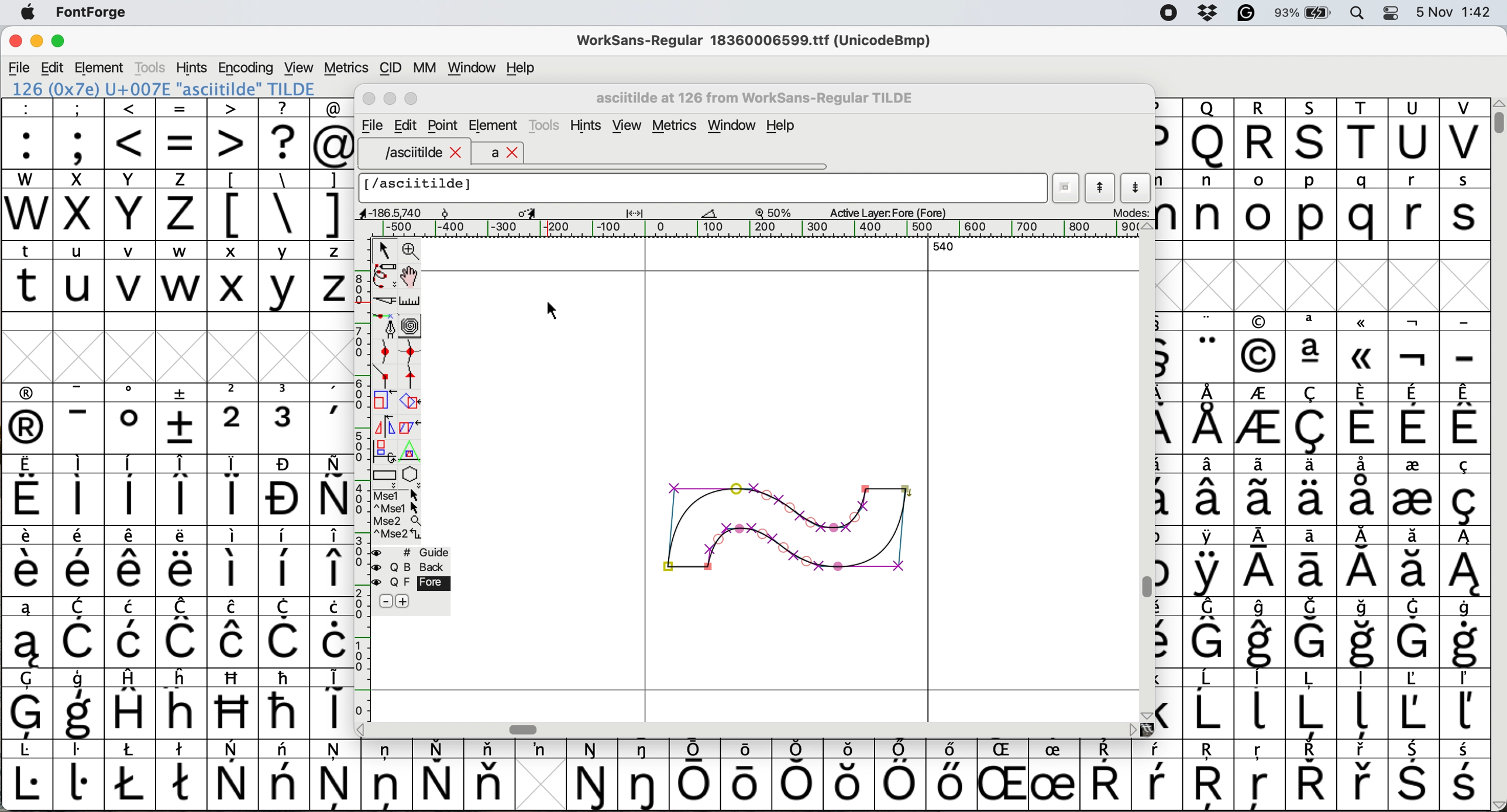 Image resolution: width=1507 pixels, height=812 pixels. I want to click on Horizontal scroll bar, so click(526, 730).